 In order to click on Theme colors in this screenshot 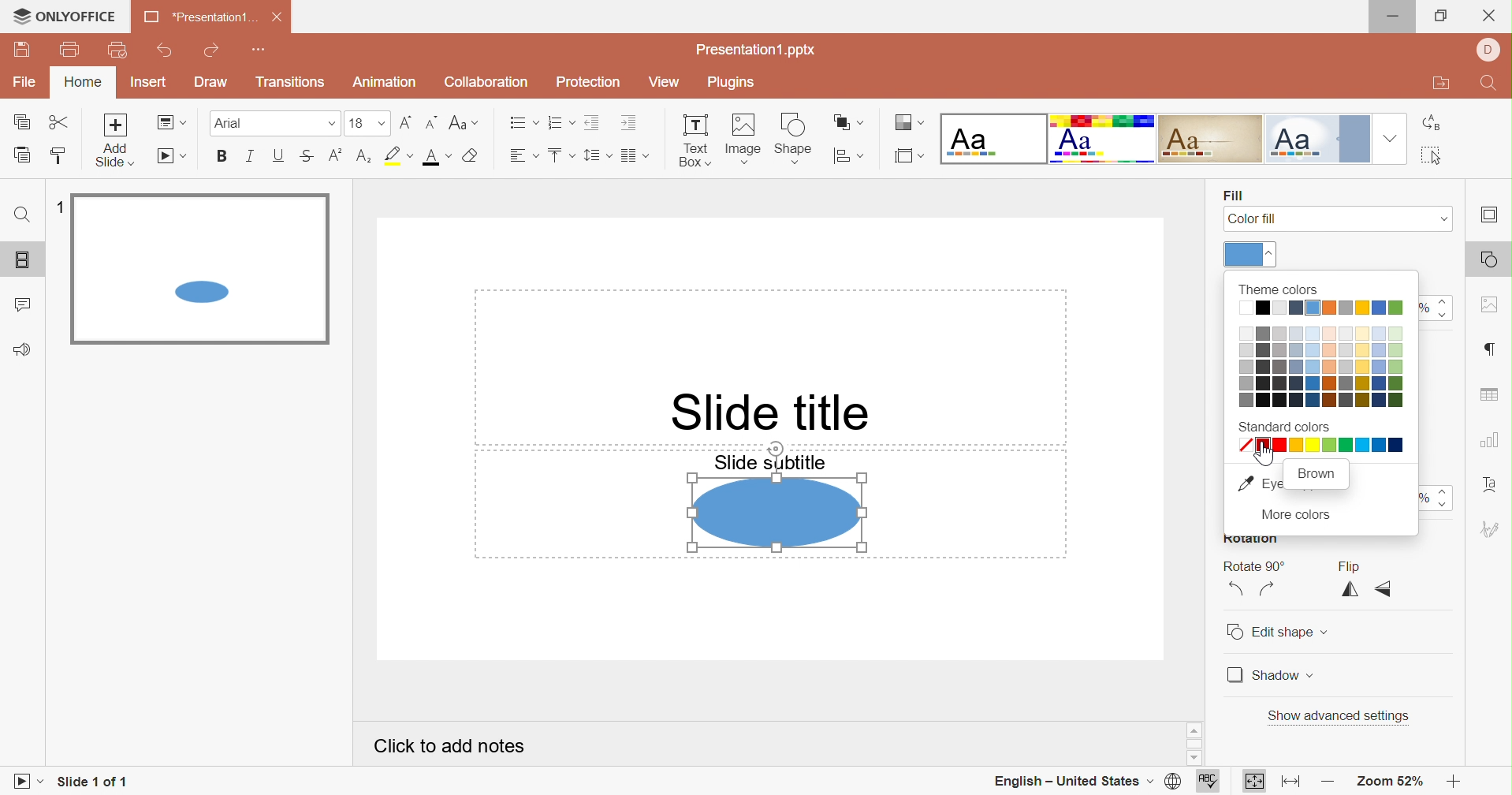, I will do `click(1253, 254)`.